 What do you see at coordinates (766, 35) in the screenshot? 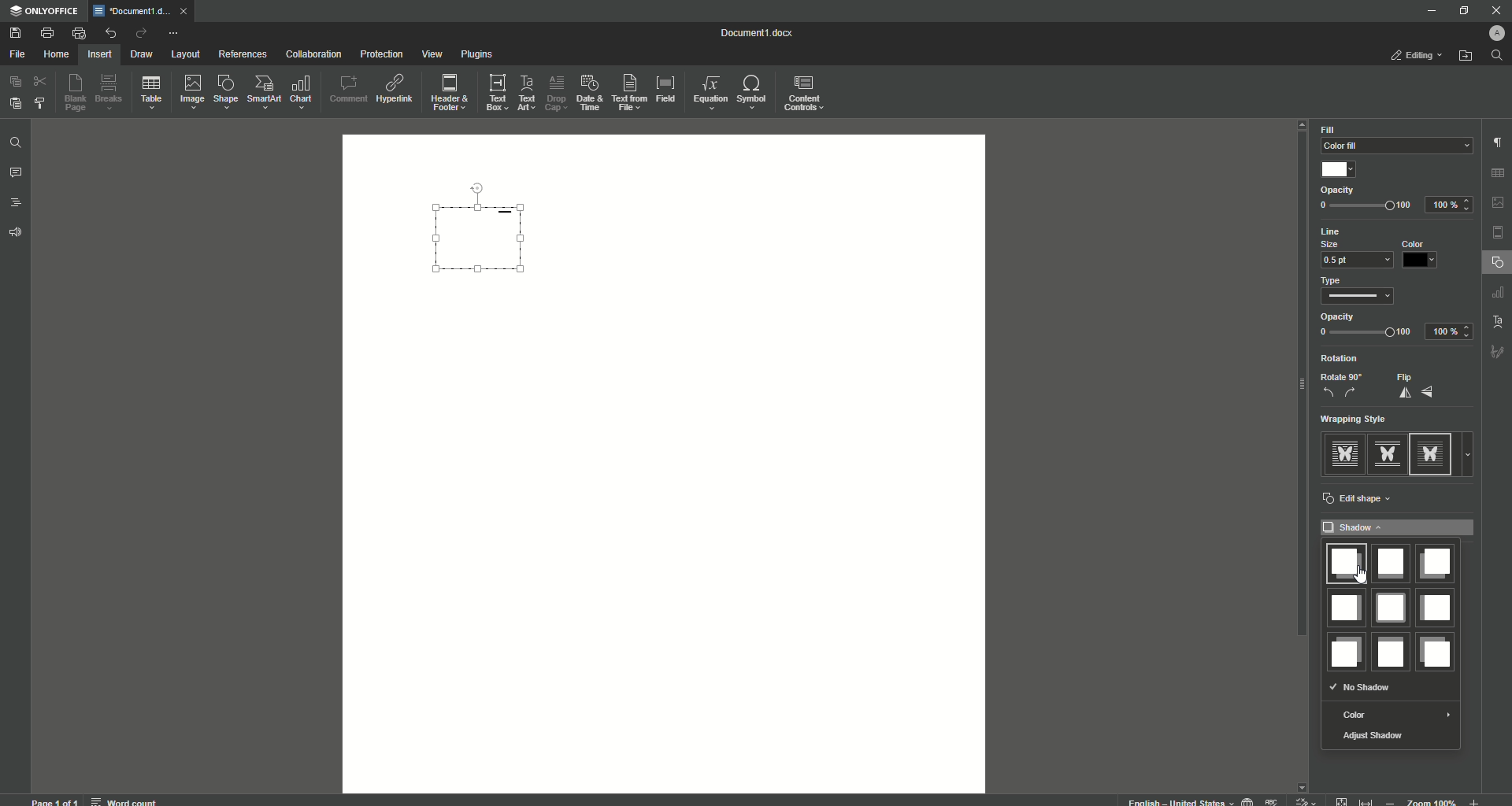
I see `Document 1` at bounding box center [766, 35].